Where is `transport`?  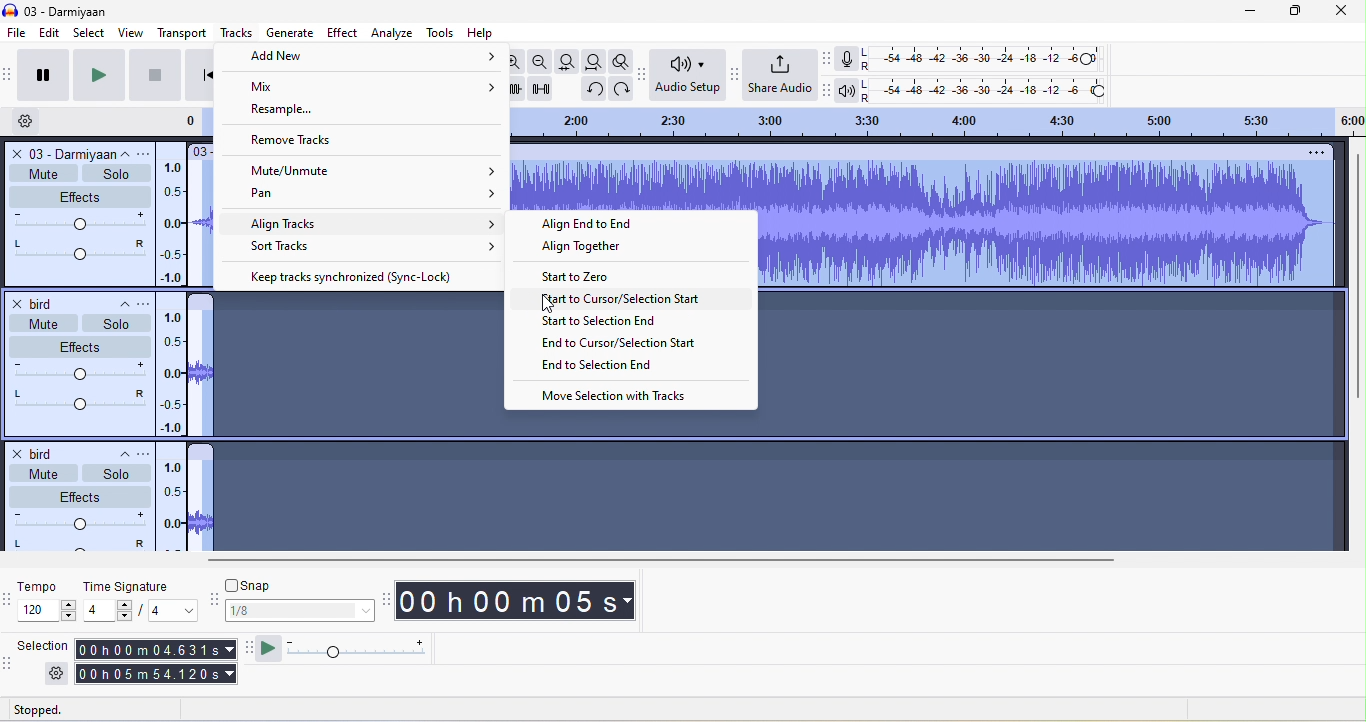
transport is located at coordinates (176, 34).